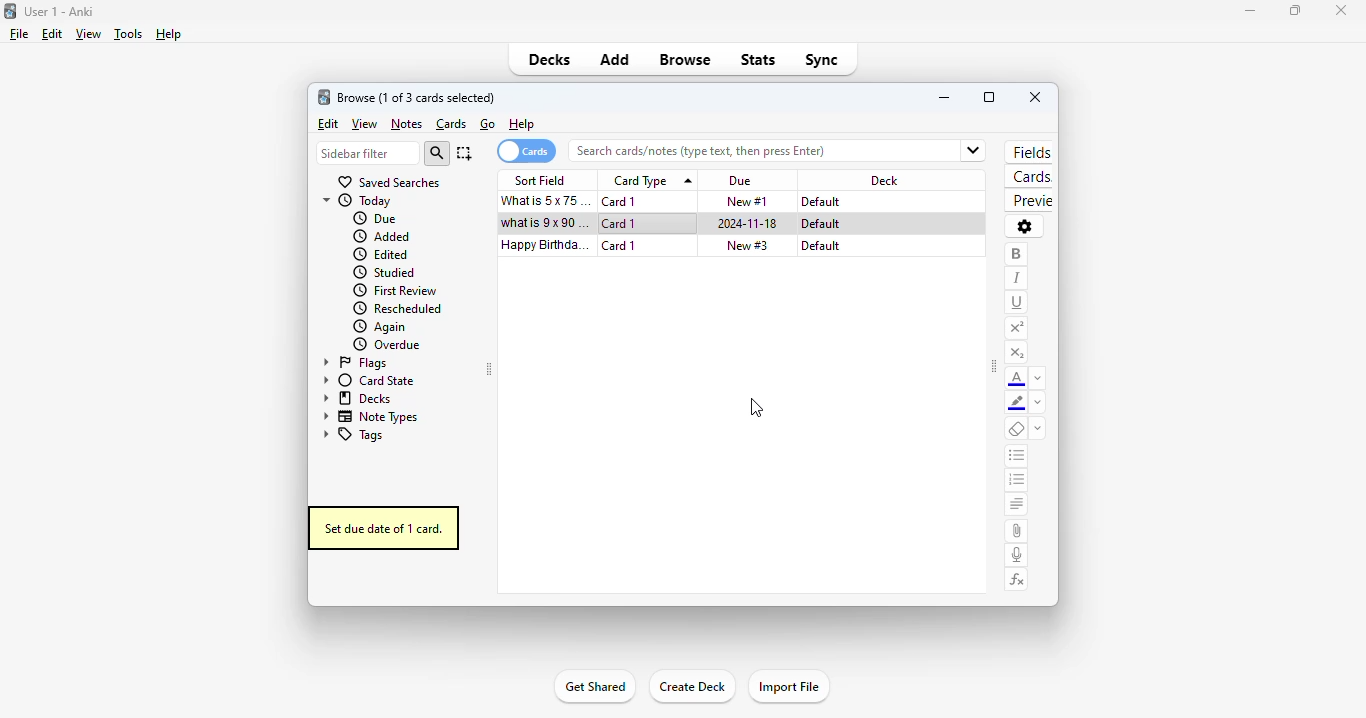 Image resolution: width=1366 pixels, height=718 pixels. What do you see at coordinates (1295, 11) in the screenshot?
I see `maximize` at bounding box center [1295, 11].